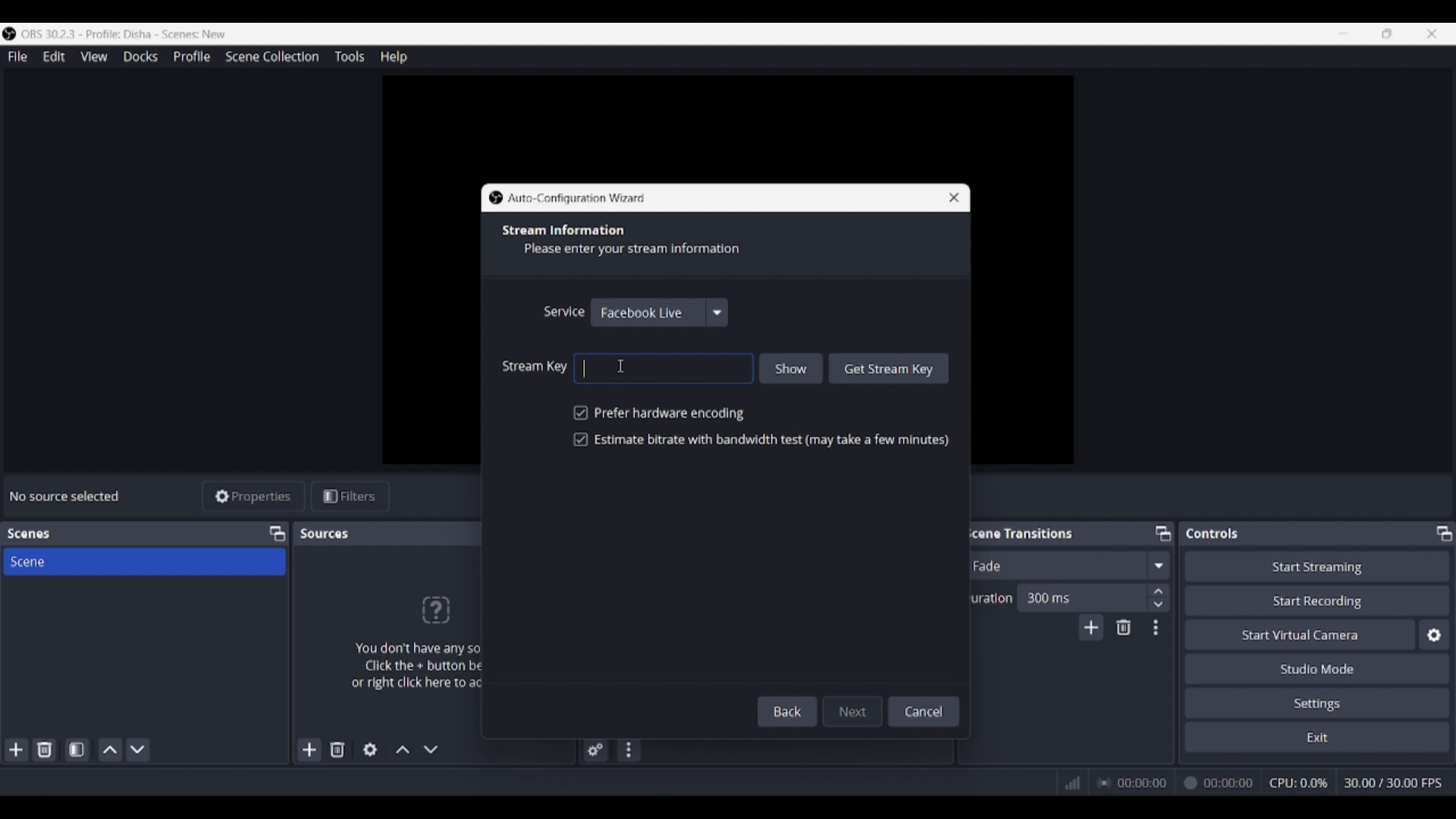  What do you see at coordinates (1343, 33) in the screenshot?
I see `Minimize` at bounding box center [1343, 33].